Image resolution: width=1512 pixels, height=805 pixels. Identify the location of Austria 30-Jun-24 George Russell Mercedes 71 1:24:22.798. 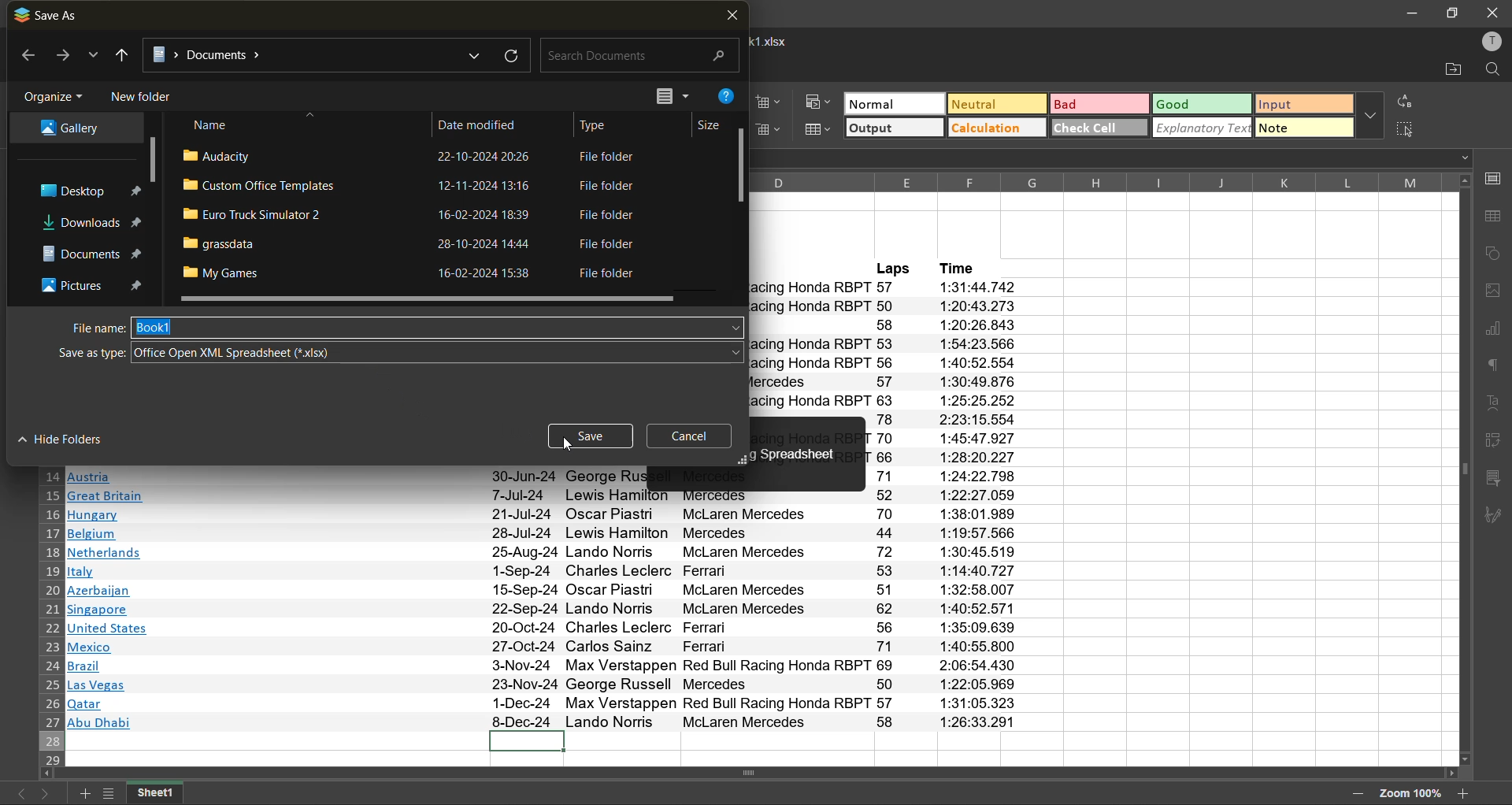
(543, 477).